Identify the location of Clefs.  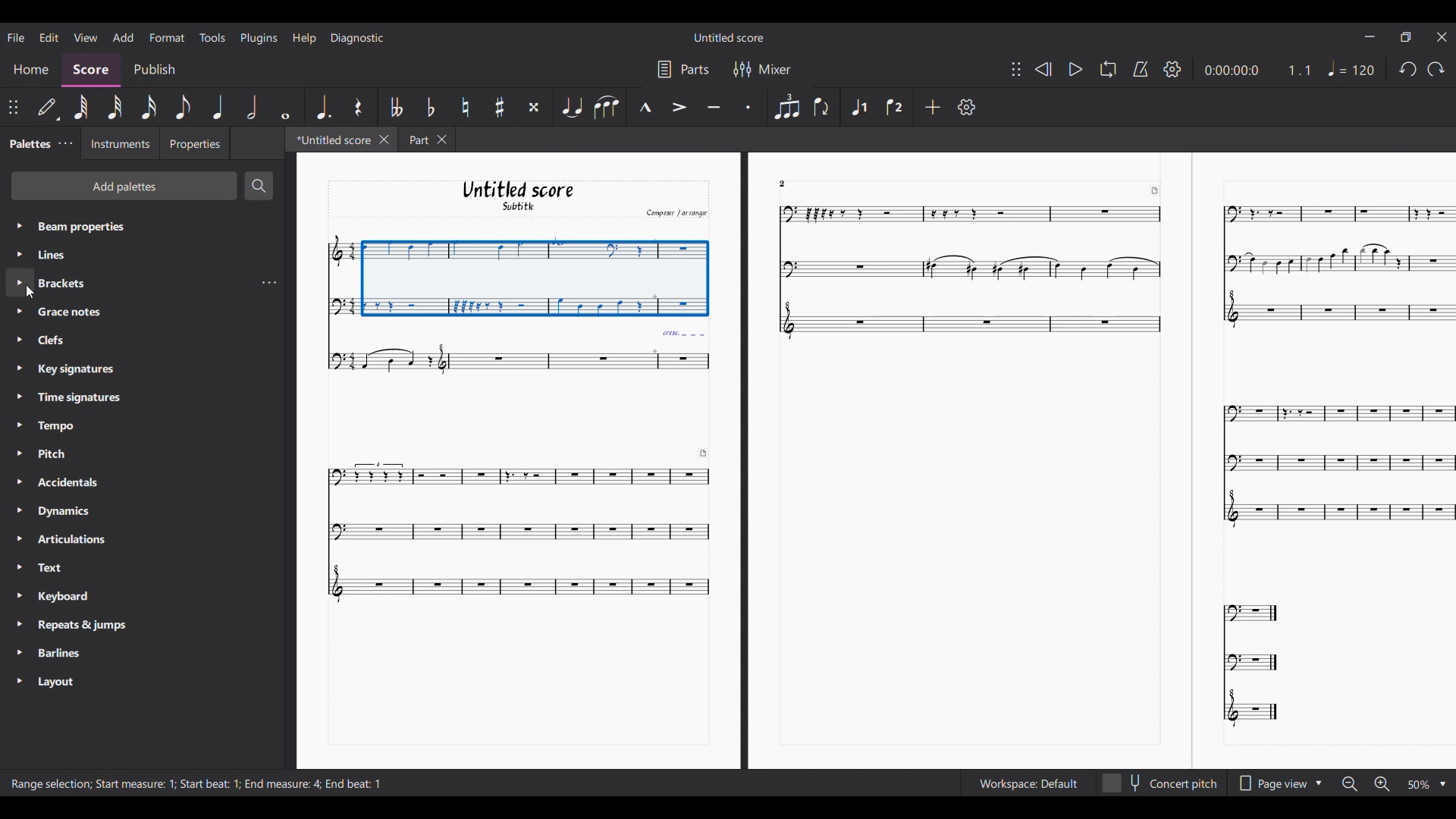
(64, 340).